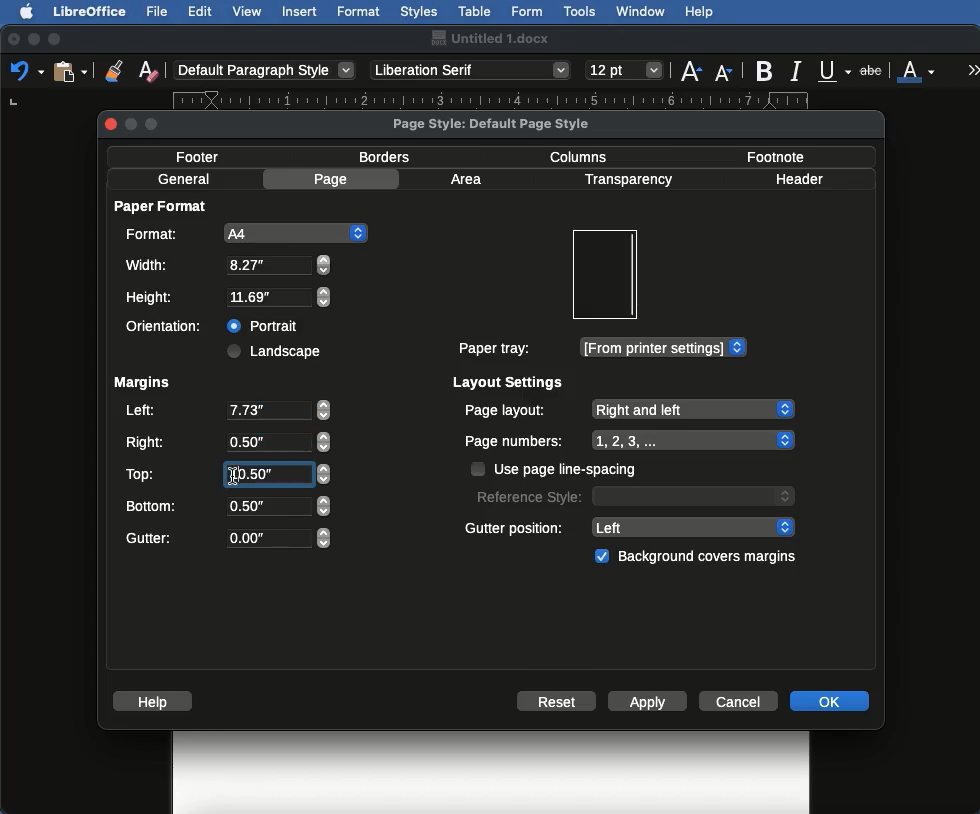  I want to click on Tools, so click(581, 12).